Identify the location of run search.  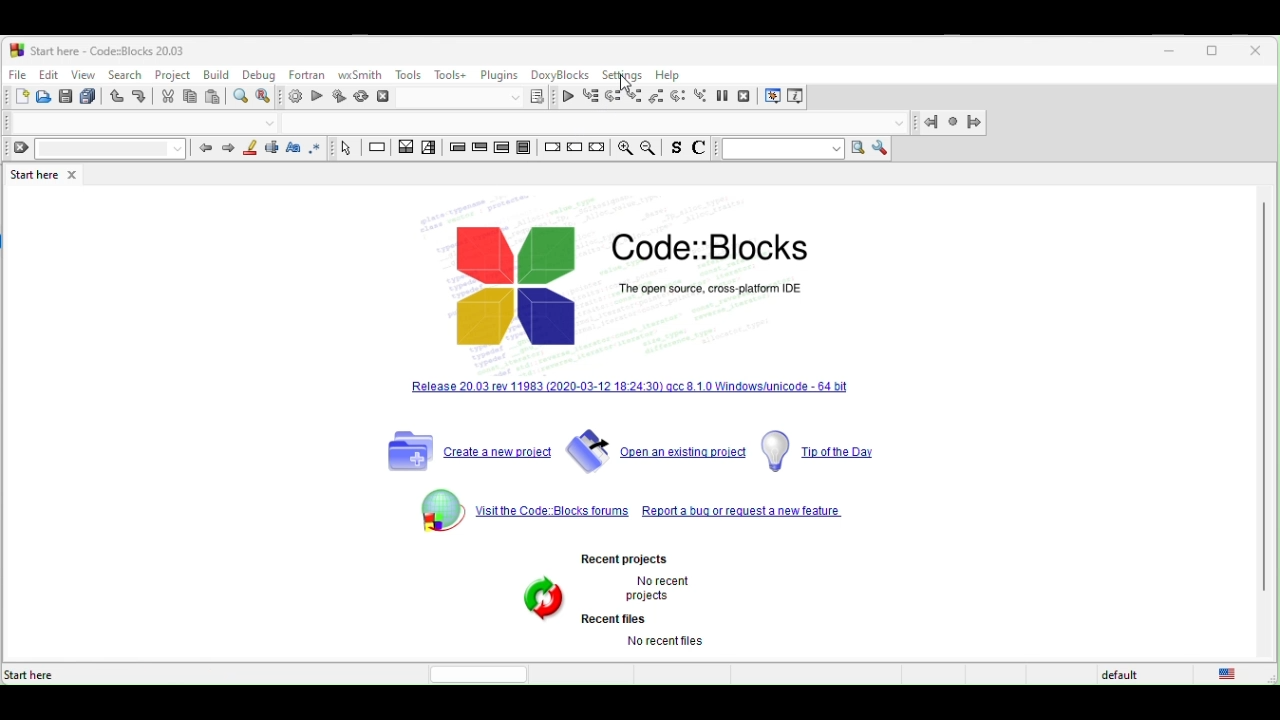
(858, 149).